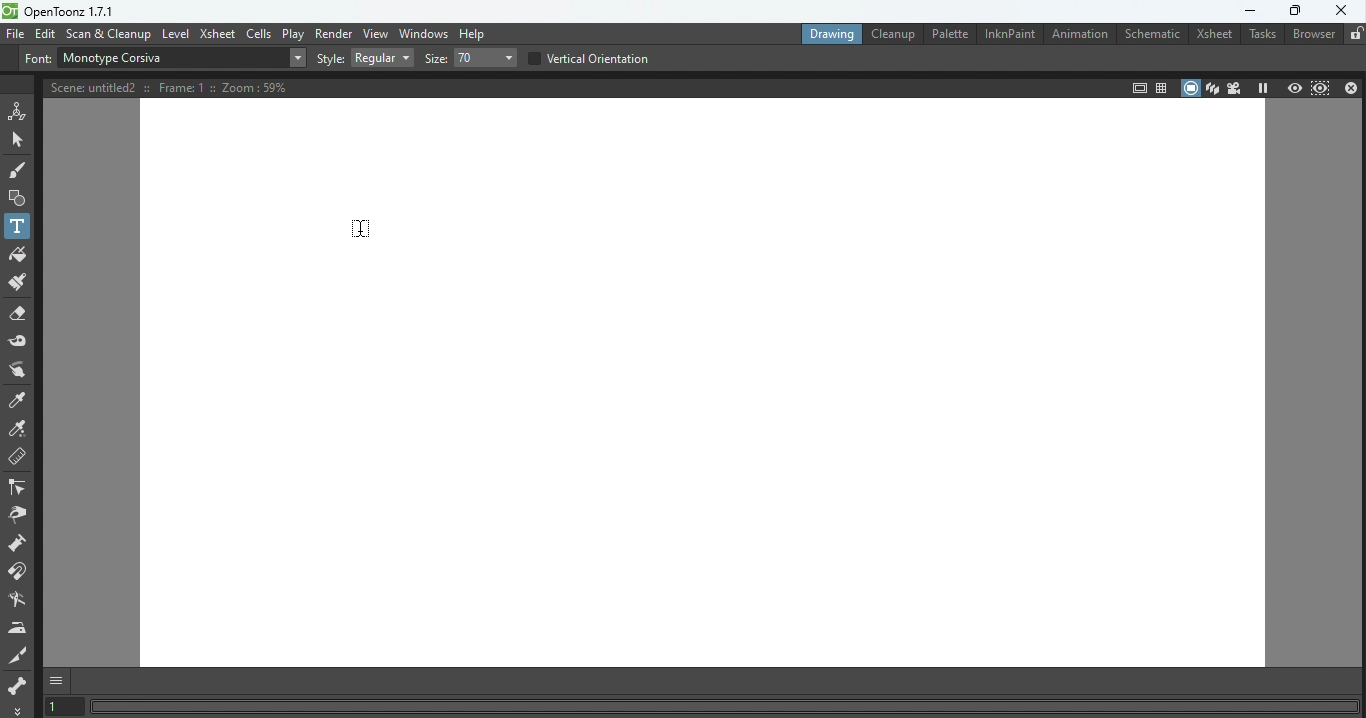 The width and height of the screenshot is (1366, 718). I want to click on Geometric tool, so click(17, 198).